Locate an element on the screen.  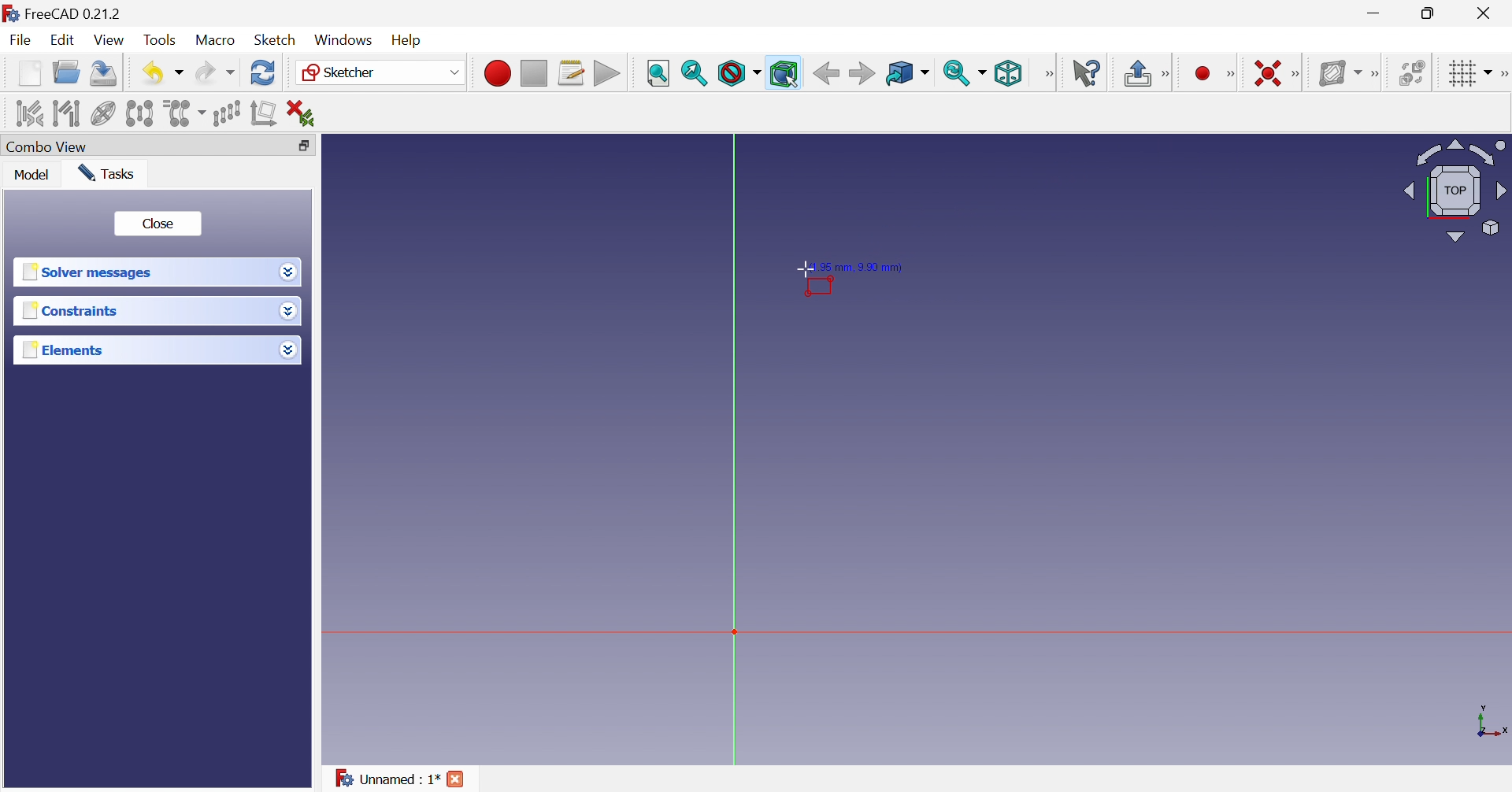
Stop macro recording is located at coordinates (534, 72).